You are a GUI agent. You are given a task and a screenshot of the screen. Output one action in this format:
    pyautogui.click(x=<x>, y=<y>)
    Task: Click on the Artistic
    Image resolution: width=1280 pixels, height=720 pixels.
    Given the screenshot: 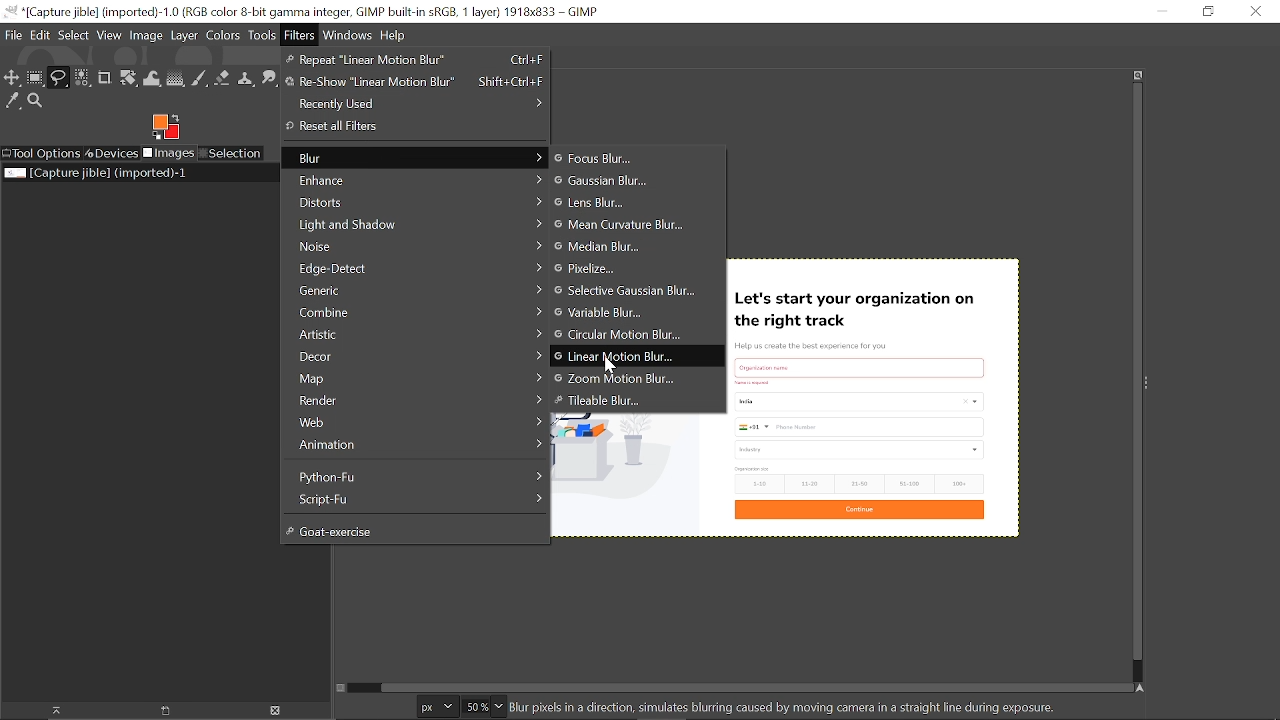 What is the action you would take?
    pyautogui.click(x=412, y=335)
    